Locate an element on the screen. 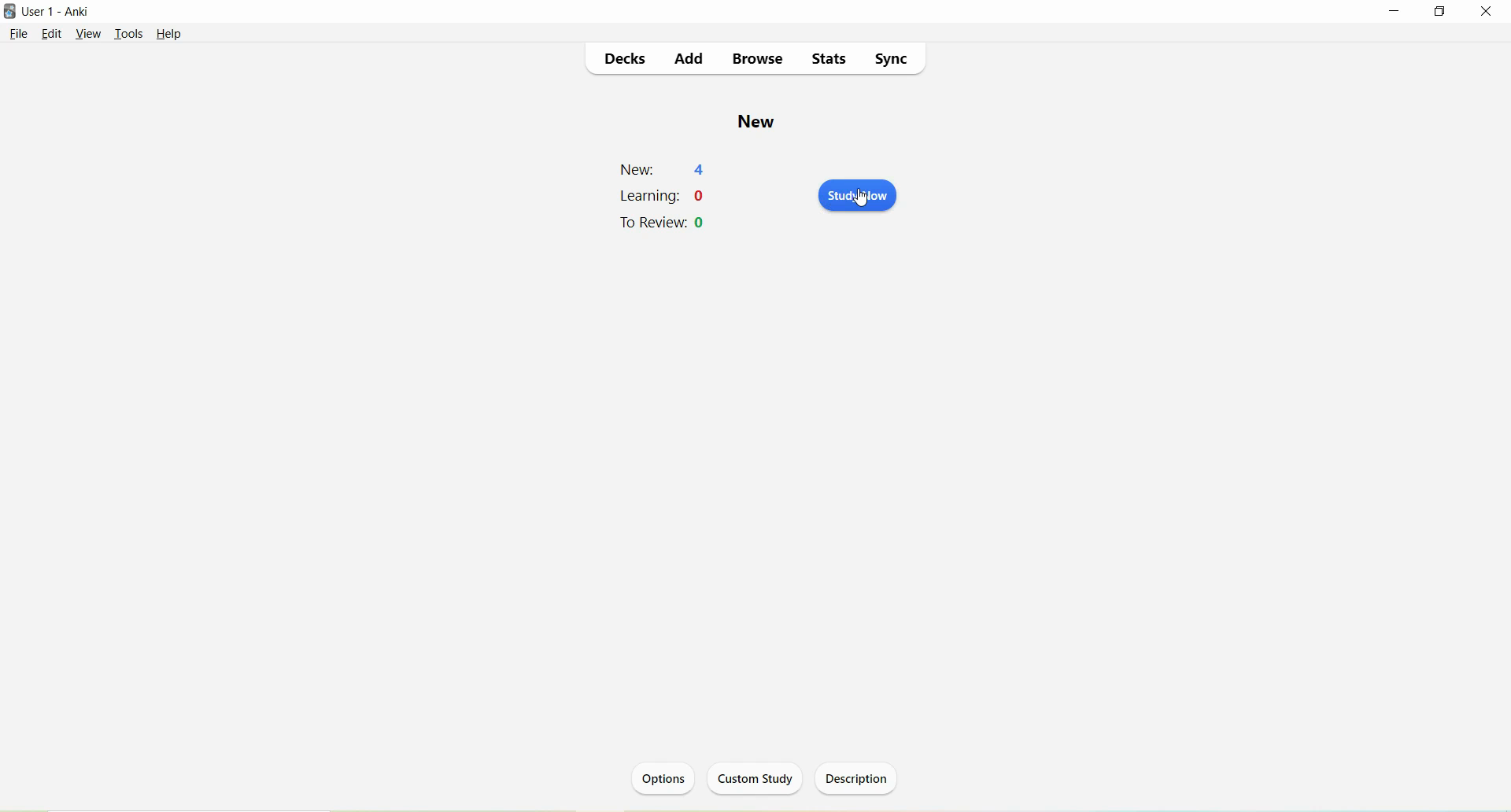  View is located at coordinates (89, 33).